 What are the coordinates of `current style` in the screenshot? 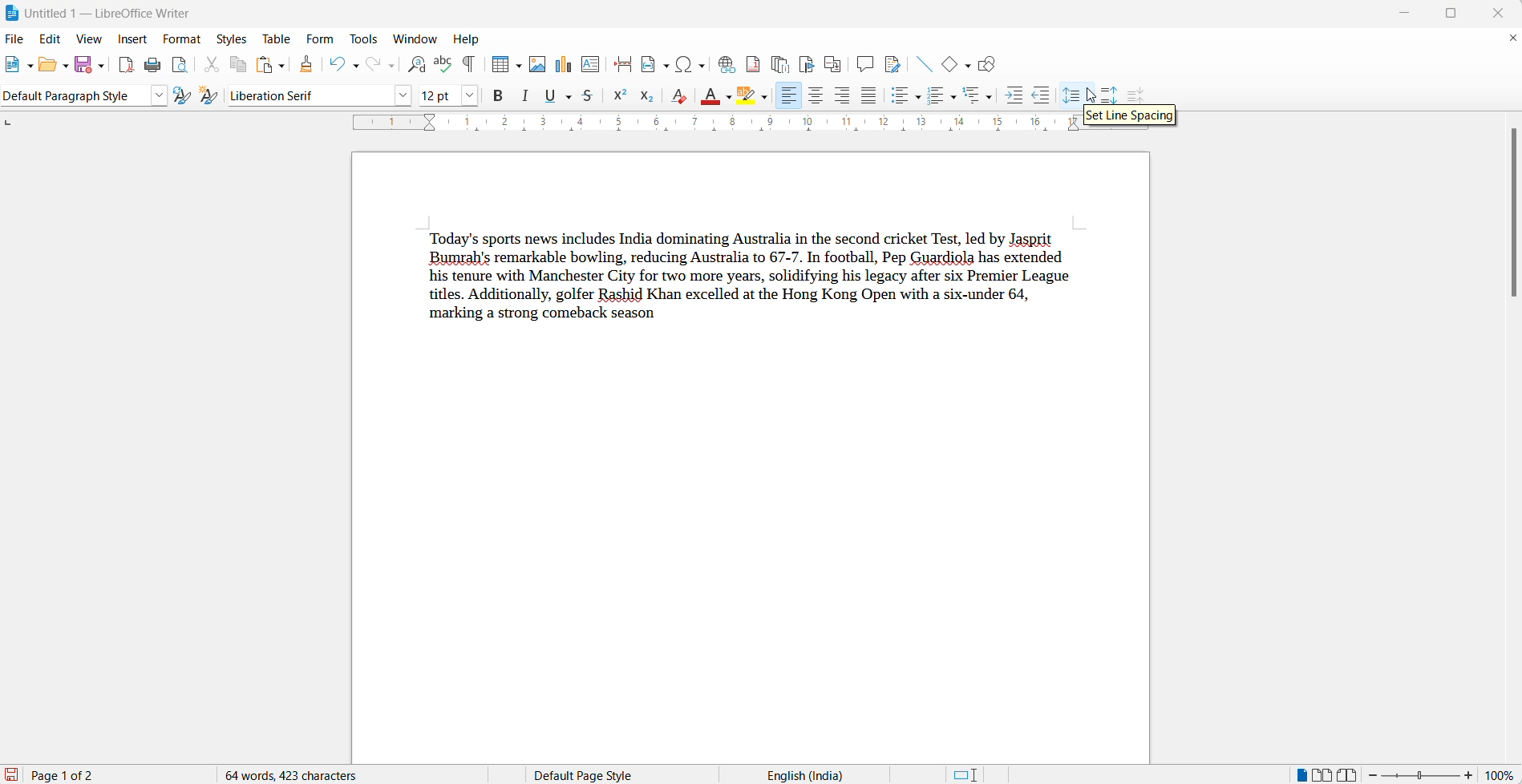 It's located at (73, 97).